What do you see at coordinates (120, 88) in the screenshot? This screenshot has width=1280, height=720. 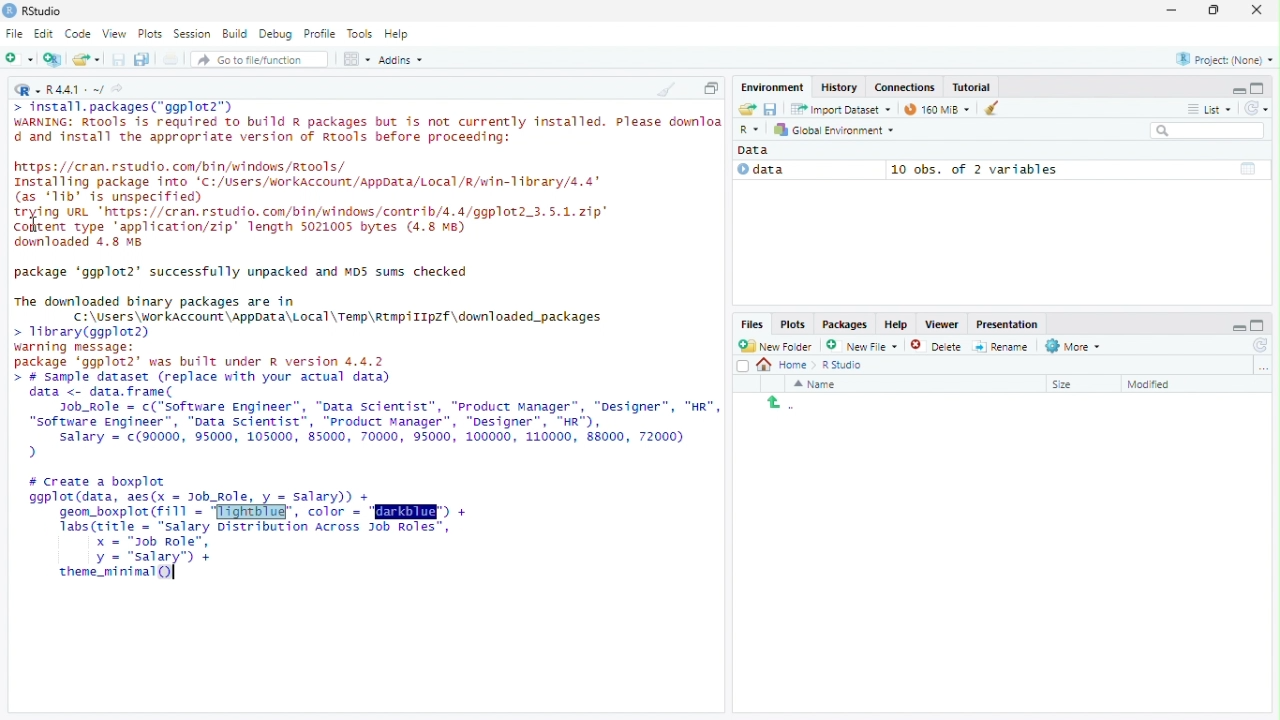 I see `View current working directory` at bounding box center [120, 88].